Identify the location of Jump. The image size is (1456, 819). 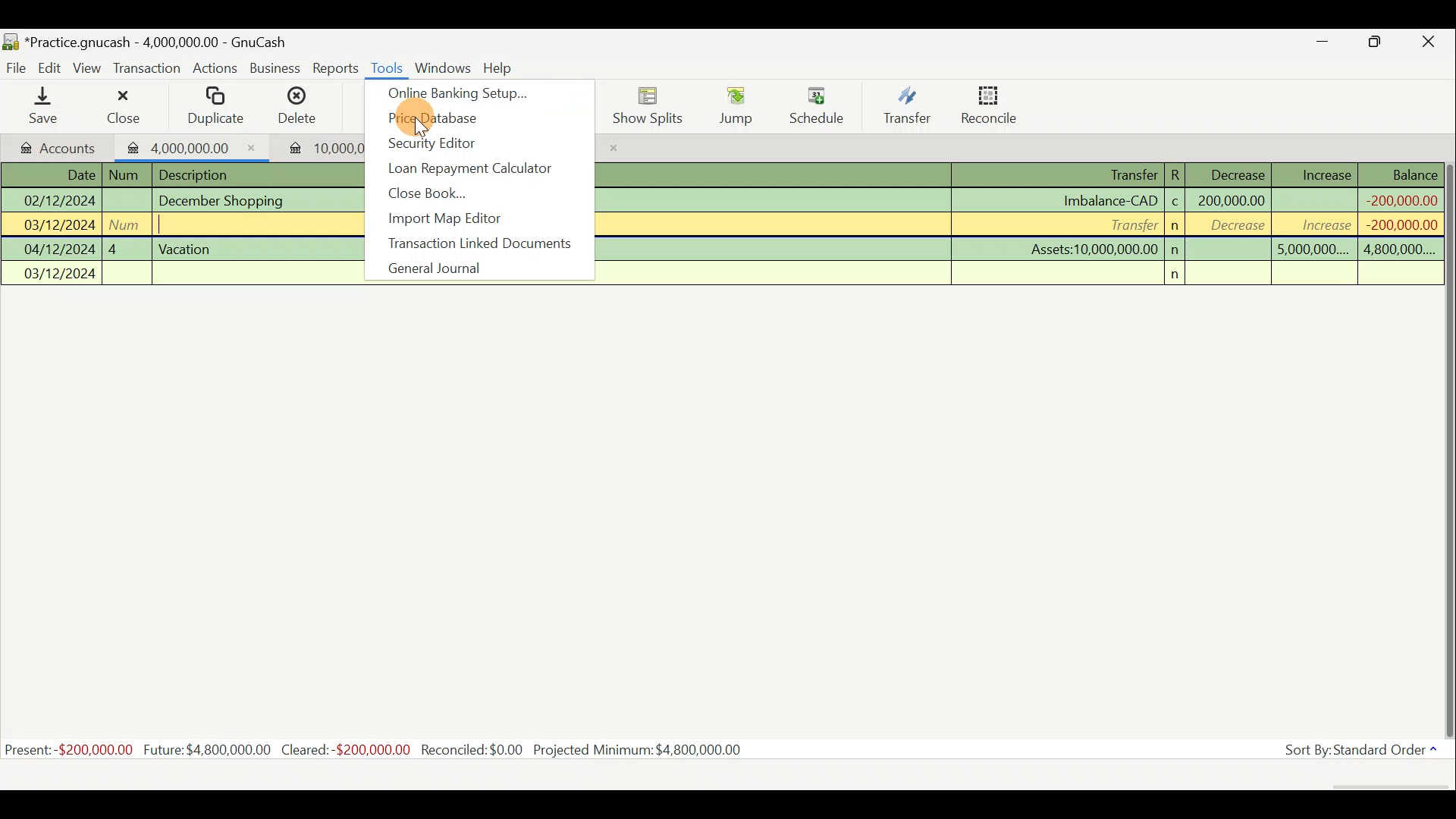
(730, 106).